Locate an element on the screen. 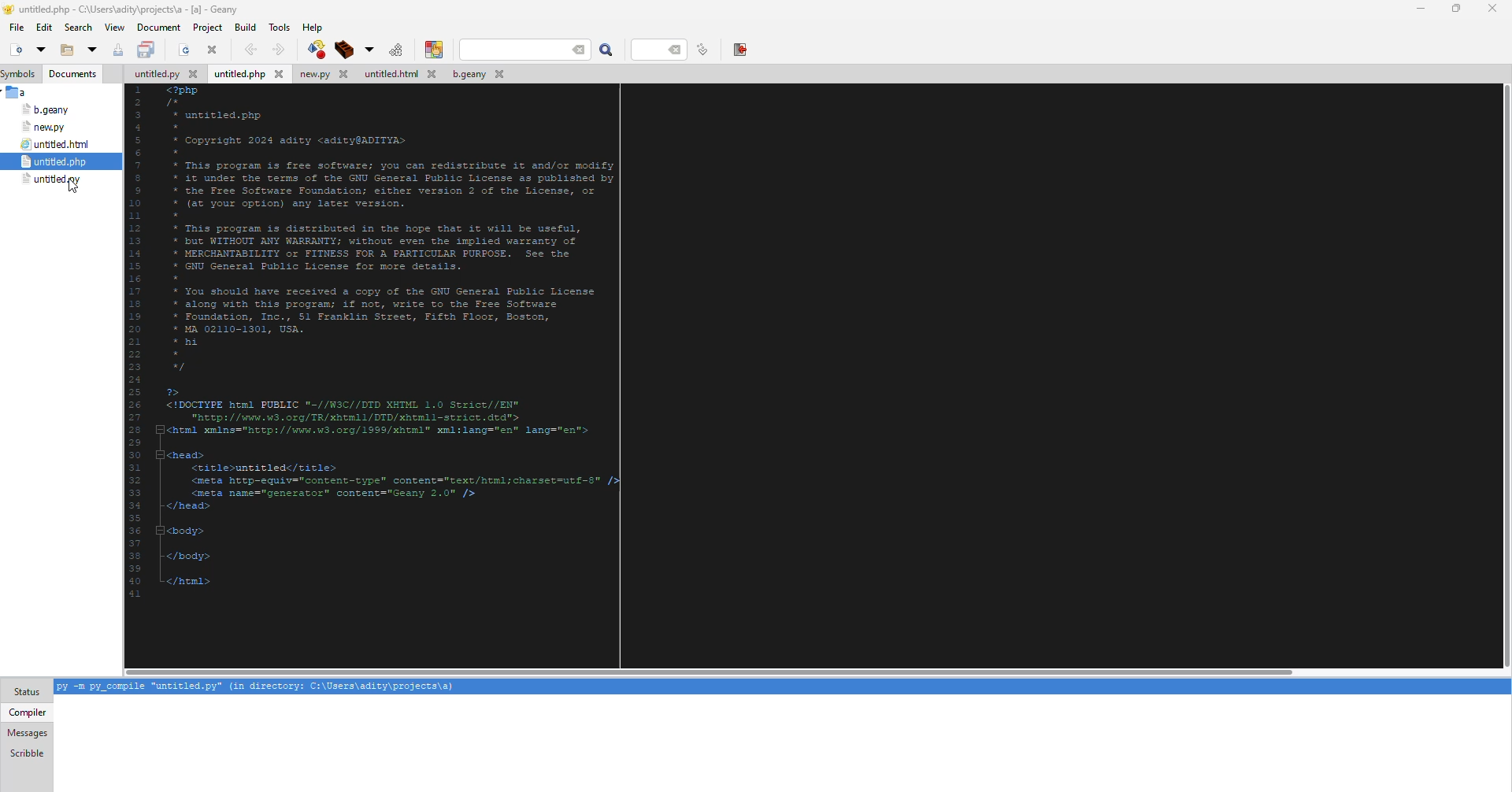 Image resolution: width=1512 pixels, height=792 pixels. open is located at coordinates (66, 51).